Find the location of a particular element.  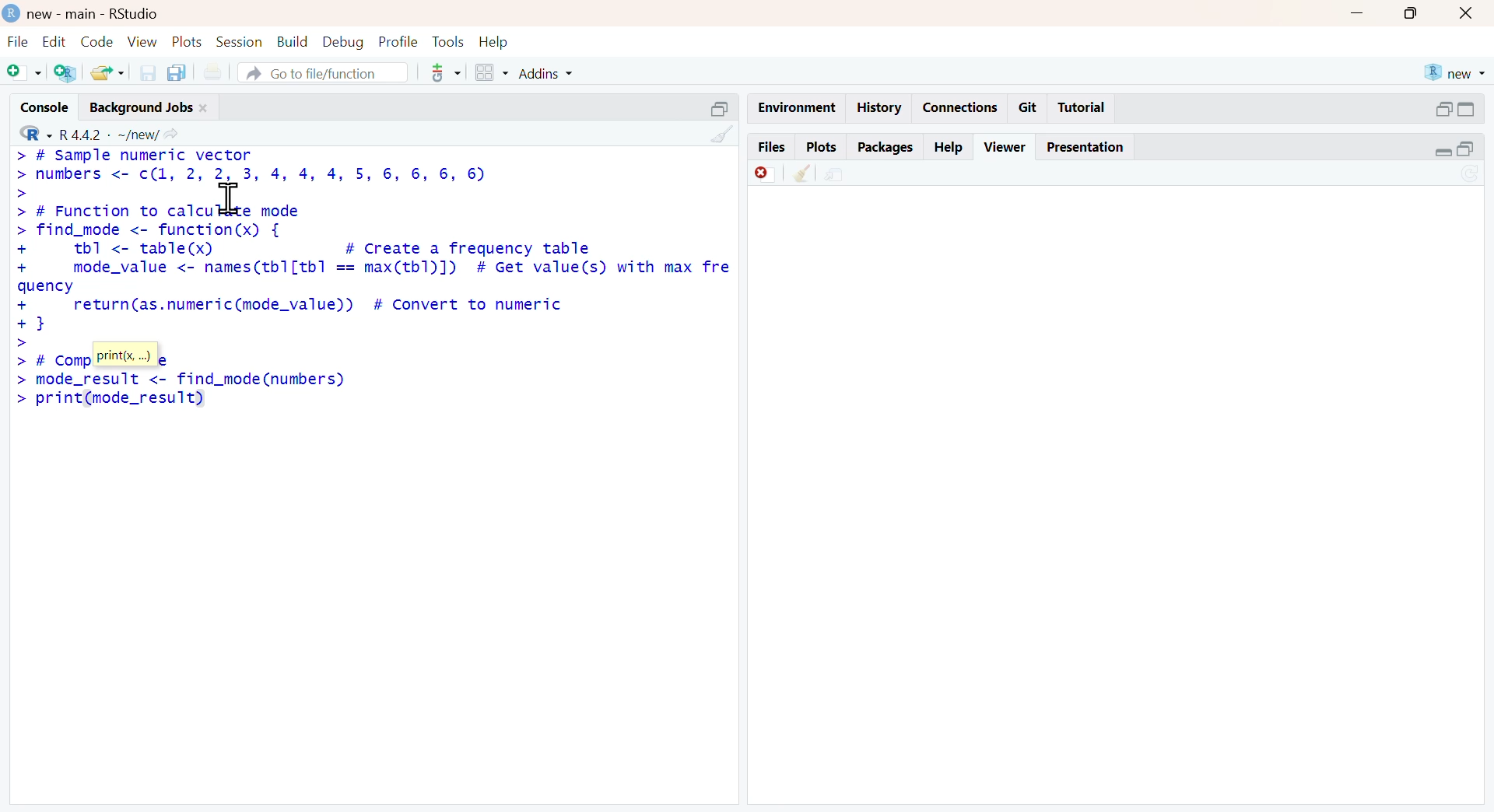

presentation is located at coordinates (1086, 147).